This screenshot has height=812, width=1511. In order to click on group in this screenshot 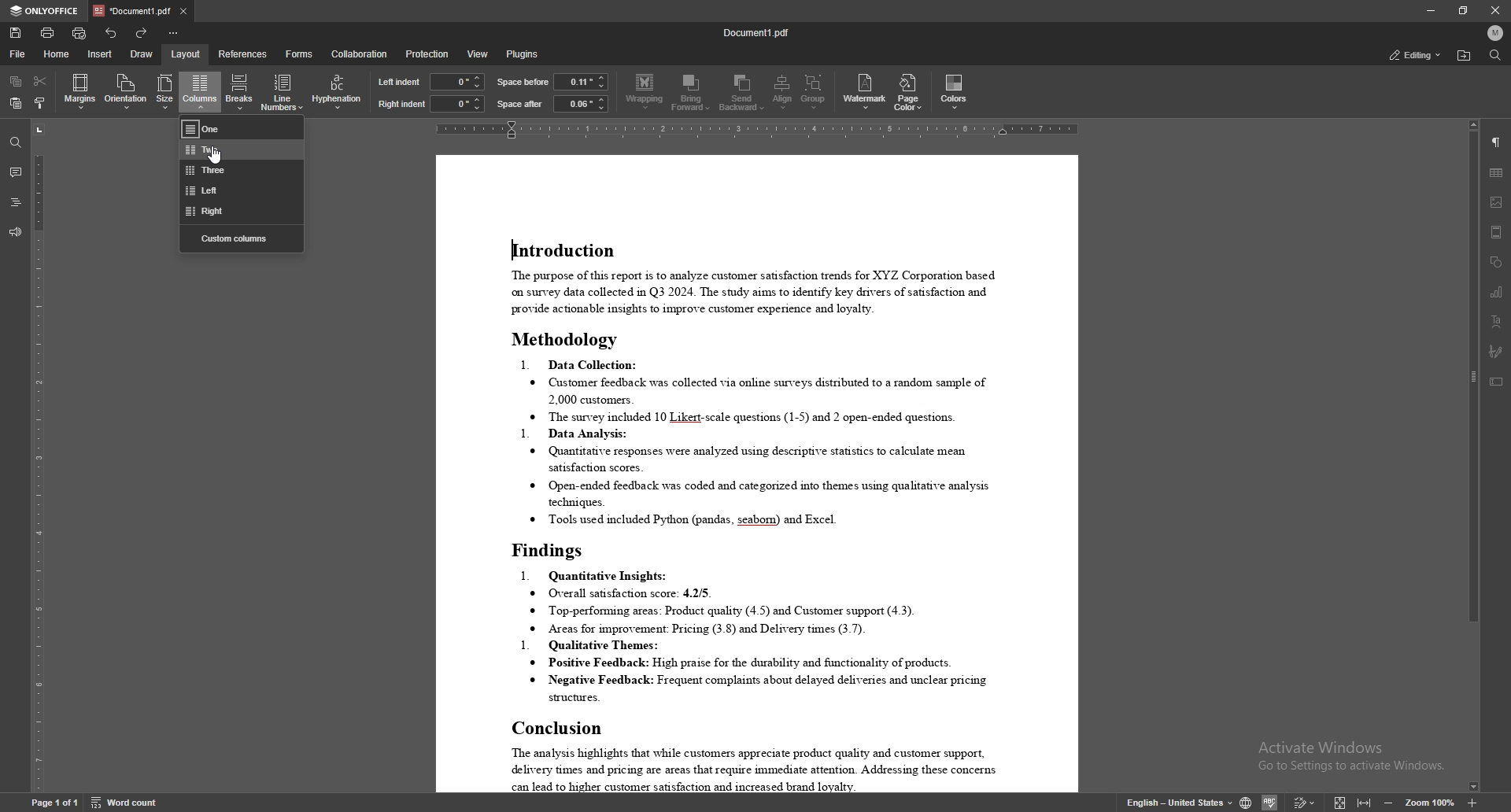, I will do `click(815, 93)`.